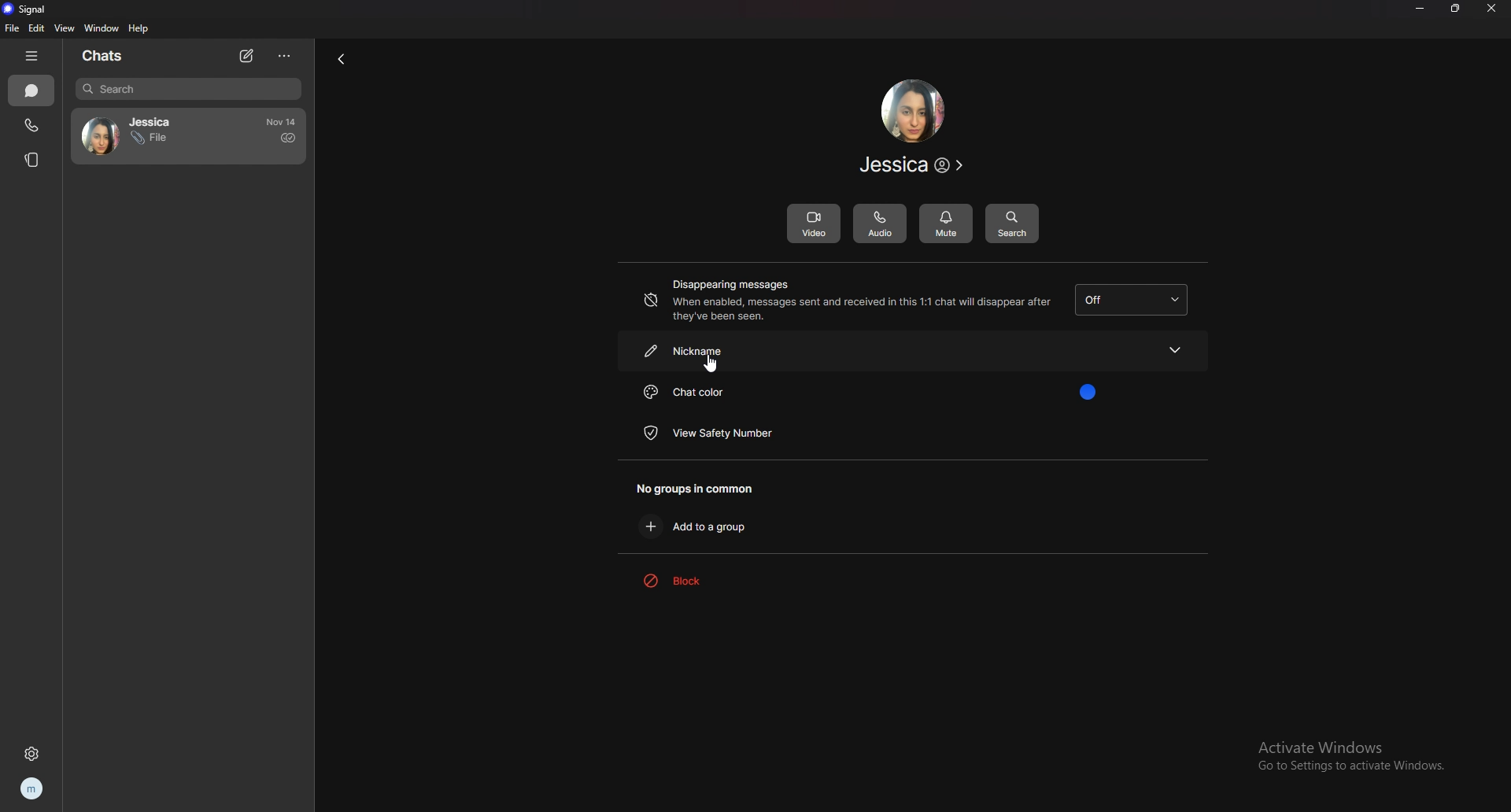  Describe the element at coordinates (245, 55) in the screenshot. I see `new chat` at that location.